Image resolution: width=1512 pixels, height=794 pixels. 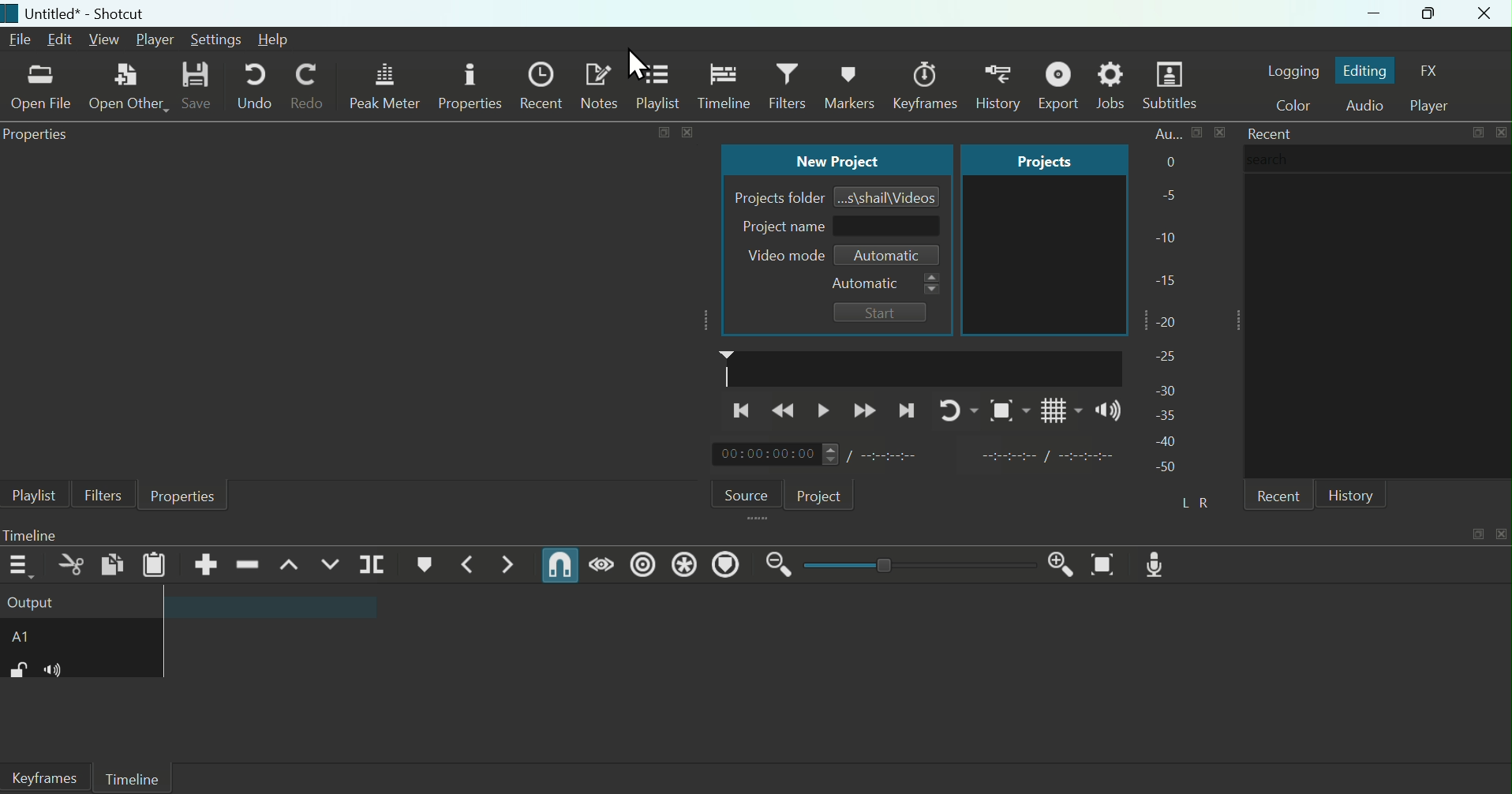 What do you see at coordinates (386, 86) in the screenshot?
I see `Peak Meter` at bounding box center [386, 86].